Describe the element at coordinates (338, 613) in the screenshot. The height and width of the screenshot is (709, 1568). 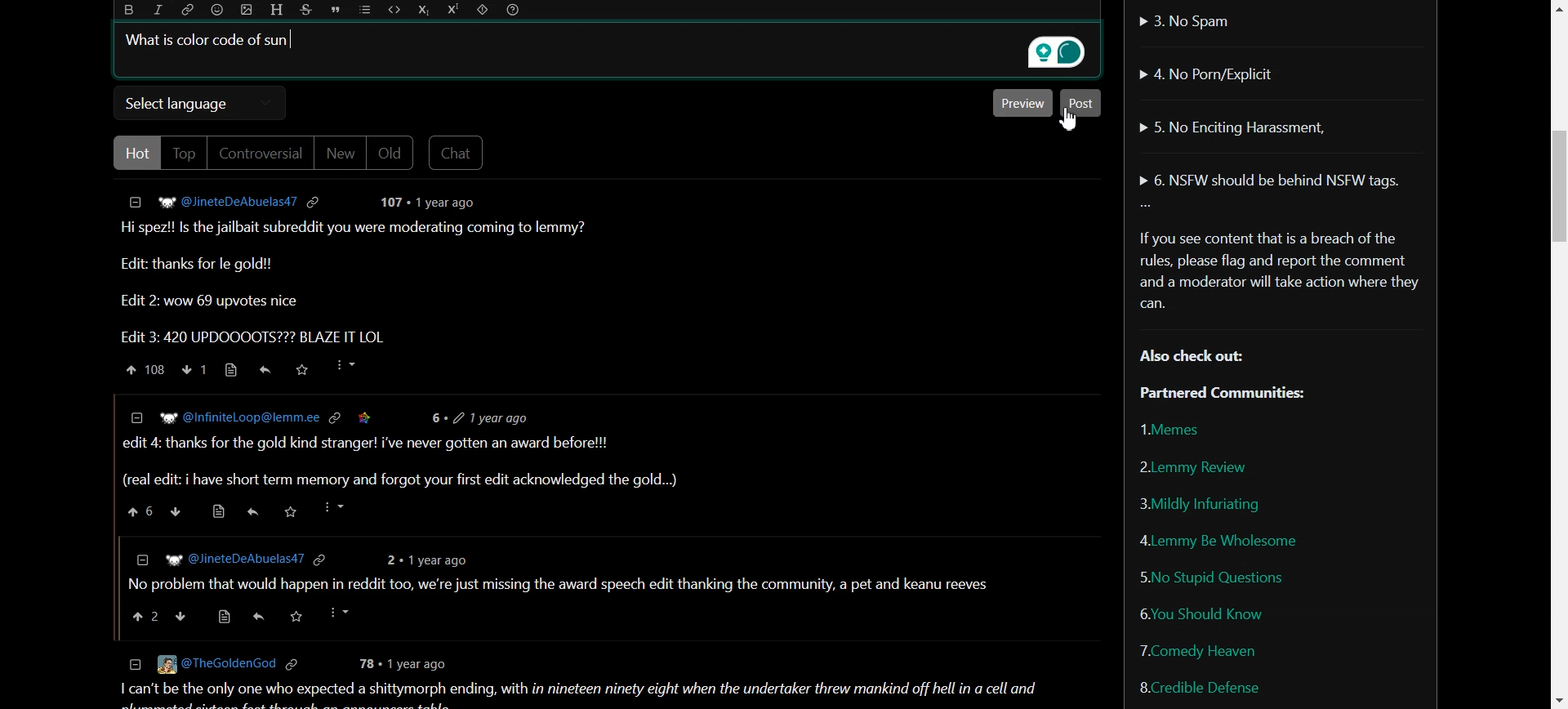
I see `more` at that location.